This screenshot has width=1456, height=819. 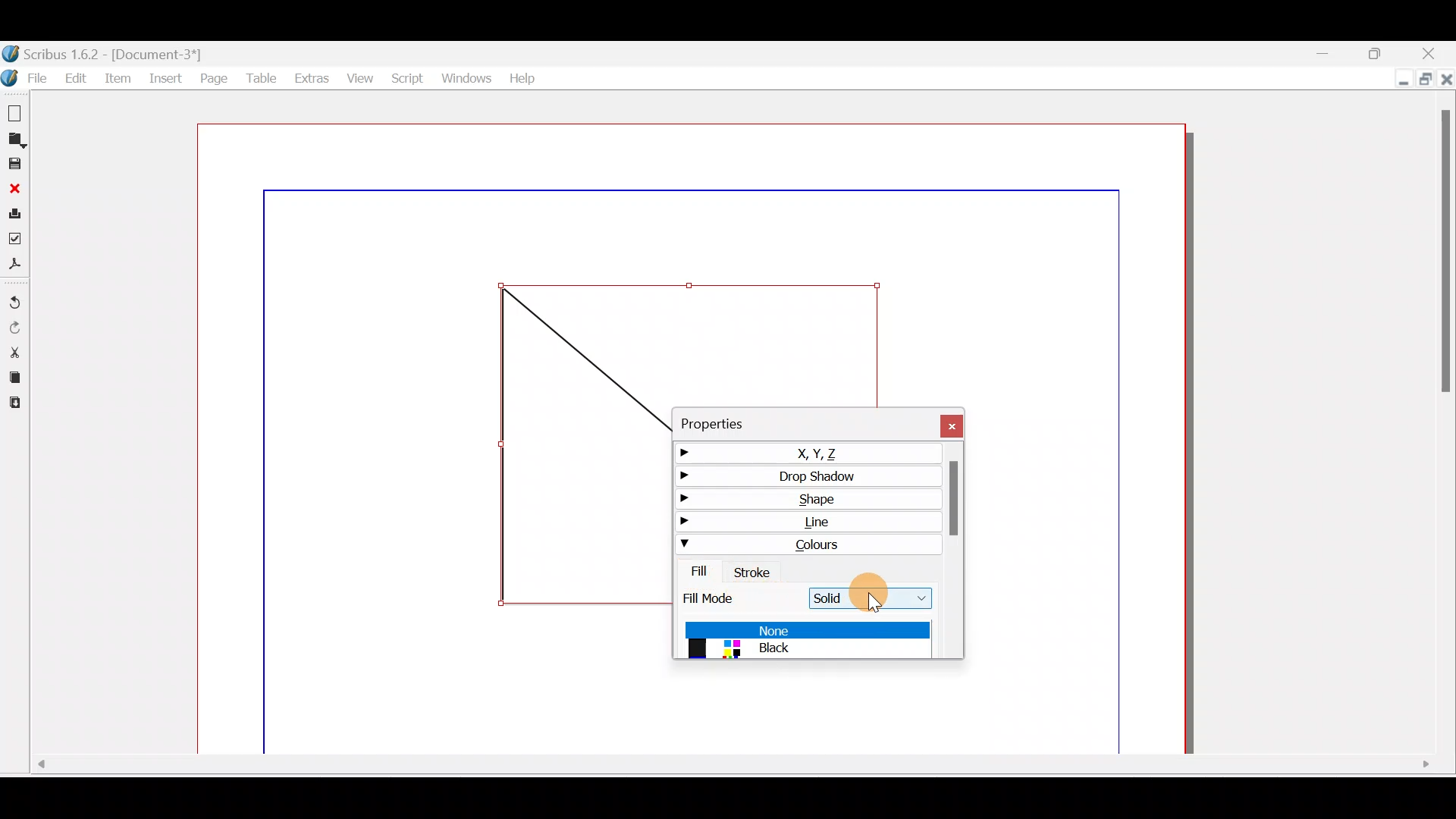 What do you see at coordinates (522, 77) in the screenshot?
I see `Help` at bounding box center [522, 77].